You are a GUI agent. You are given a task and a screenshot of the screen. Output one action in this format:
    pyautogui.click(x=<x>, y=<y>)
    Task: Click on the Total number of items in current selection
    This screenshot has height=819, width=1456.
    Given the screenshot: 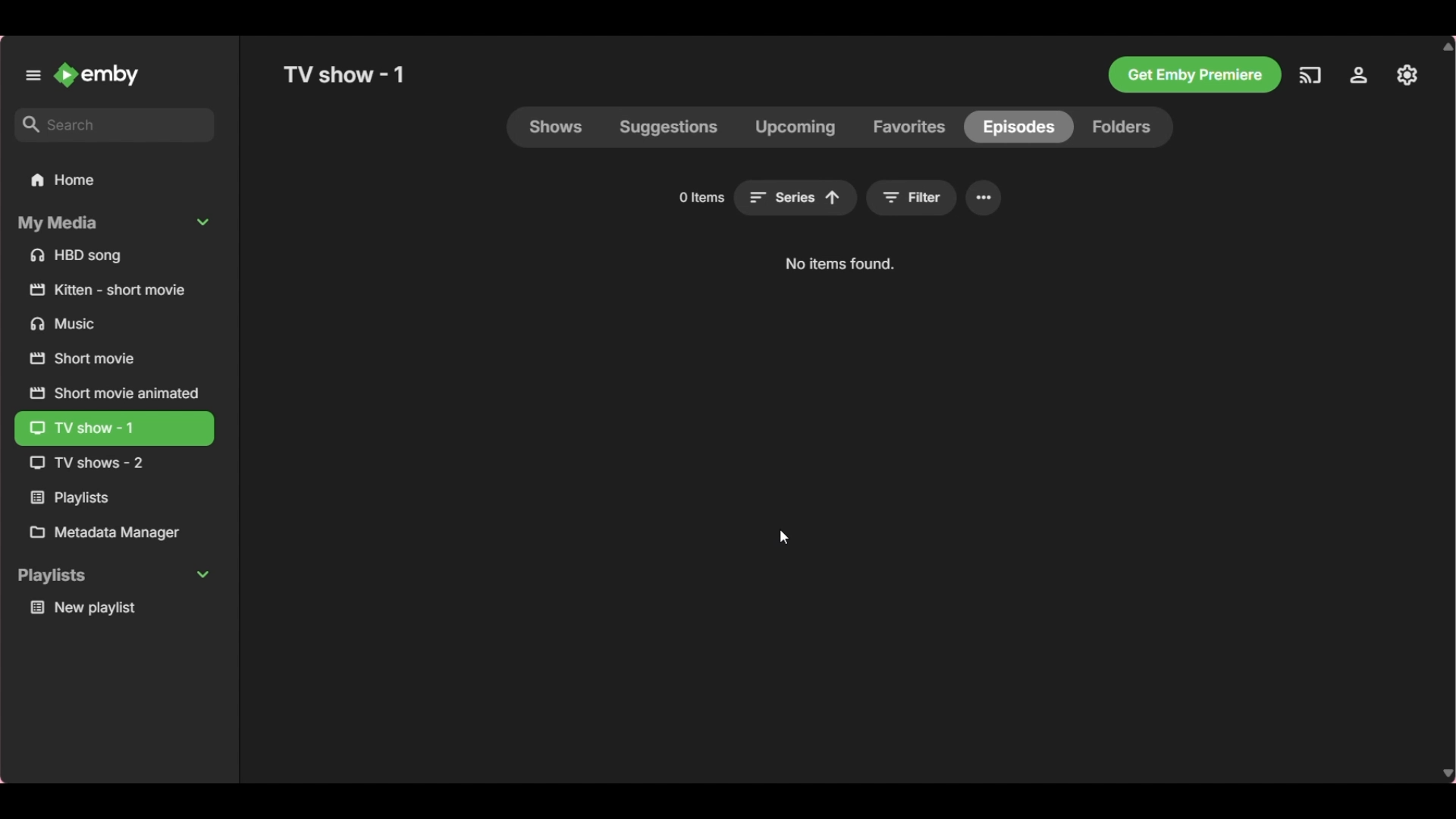 What is the action you would take?
    pyautogui.click(x=701, y=197)
    